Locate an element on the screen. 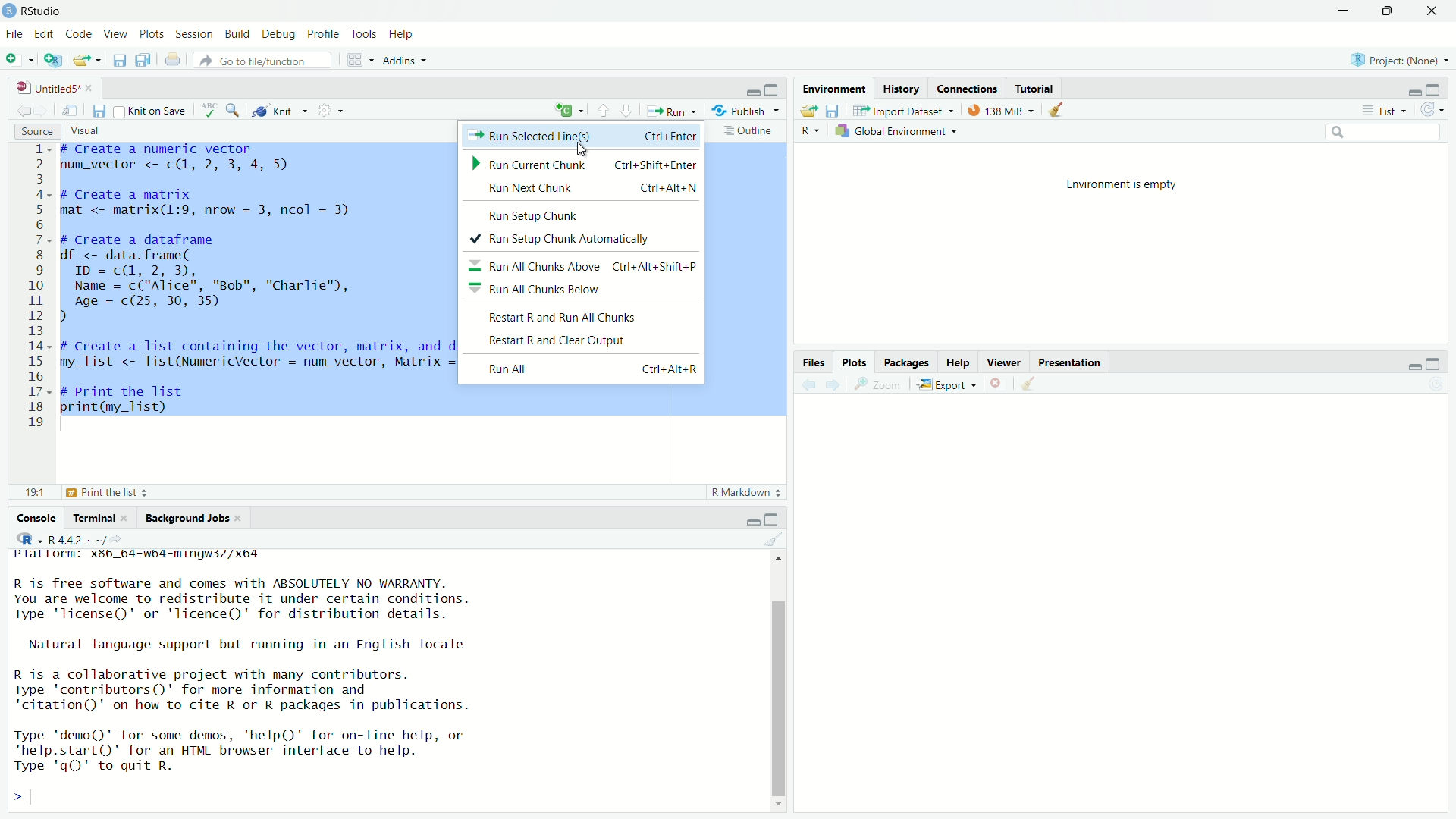 This screenshot has height=819, width=1456. Session is located at coordinates (196, 33).